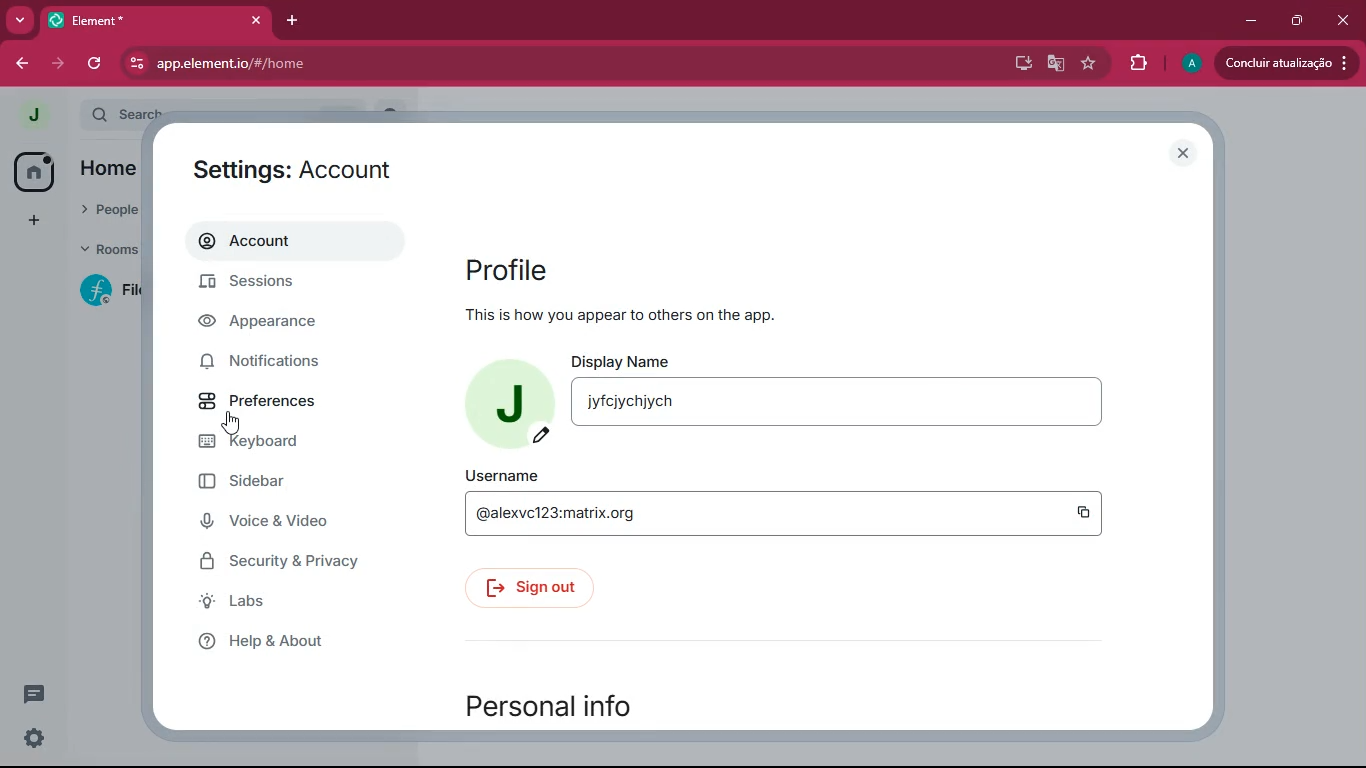 The image size is (1366, 768). Describe the element at coordinates (1138, 63) in the screenshot. I see `extensions` at that location.